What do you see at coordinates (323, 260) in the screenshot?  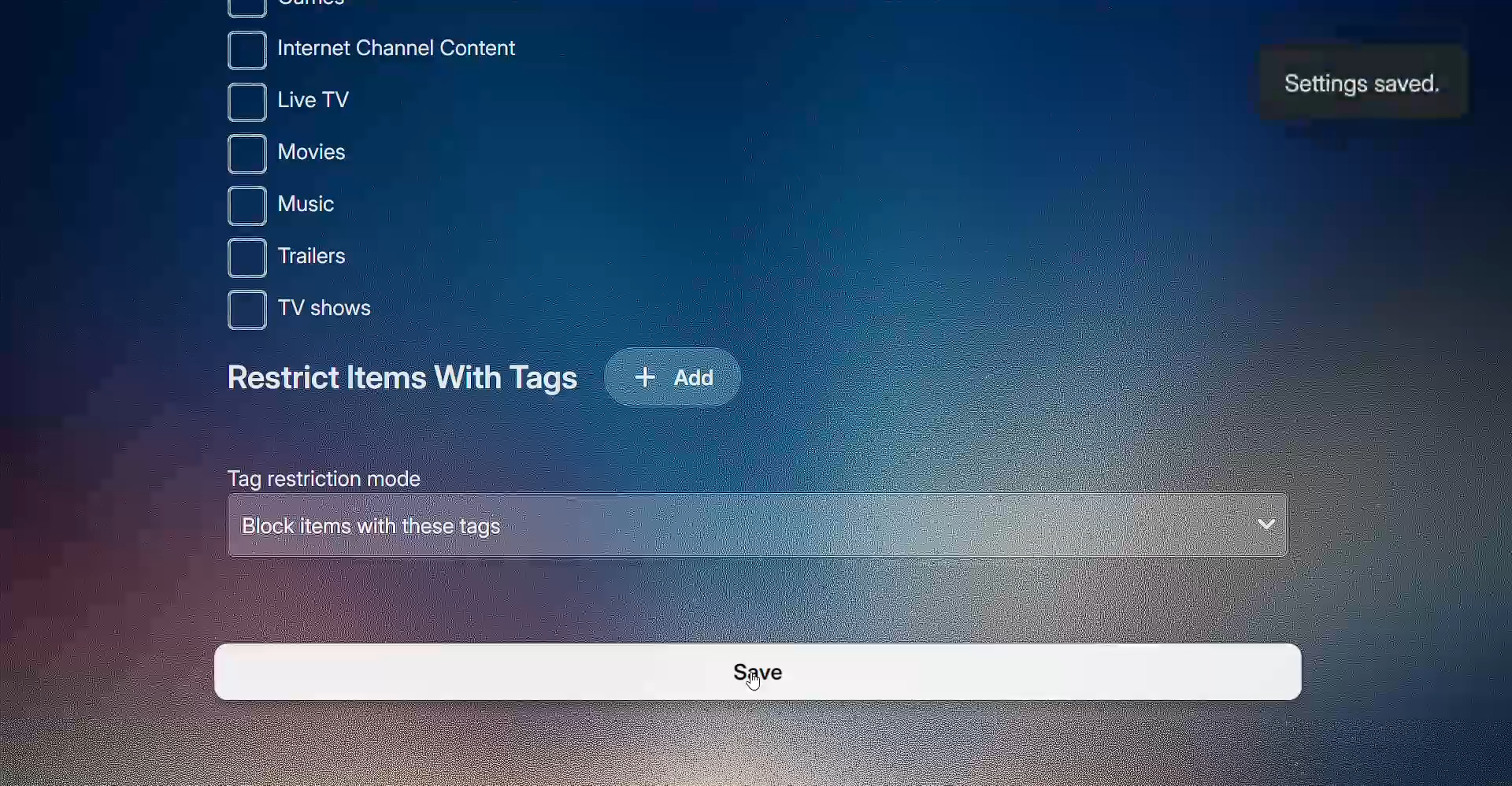 I see `Trailers` at bounding box center [323, 260].